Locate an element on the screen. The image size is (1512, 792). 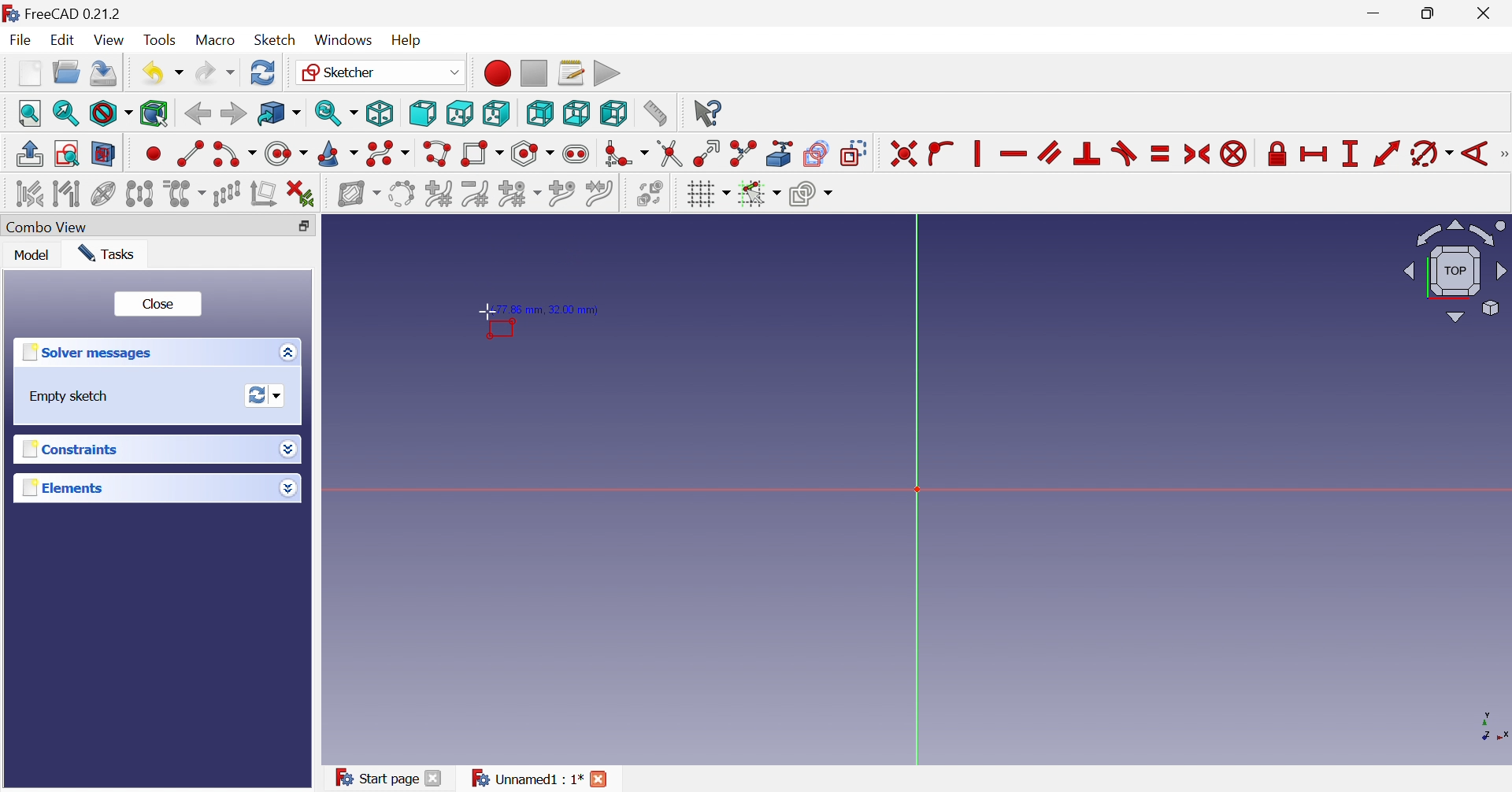
Create conic is located at coordinates (339, 155).